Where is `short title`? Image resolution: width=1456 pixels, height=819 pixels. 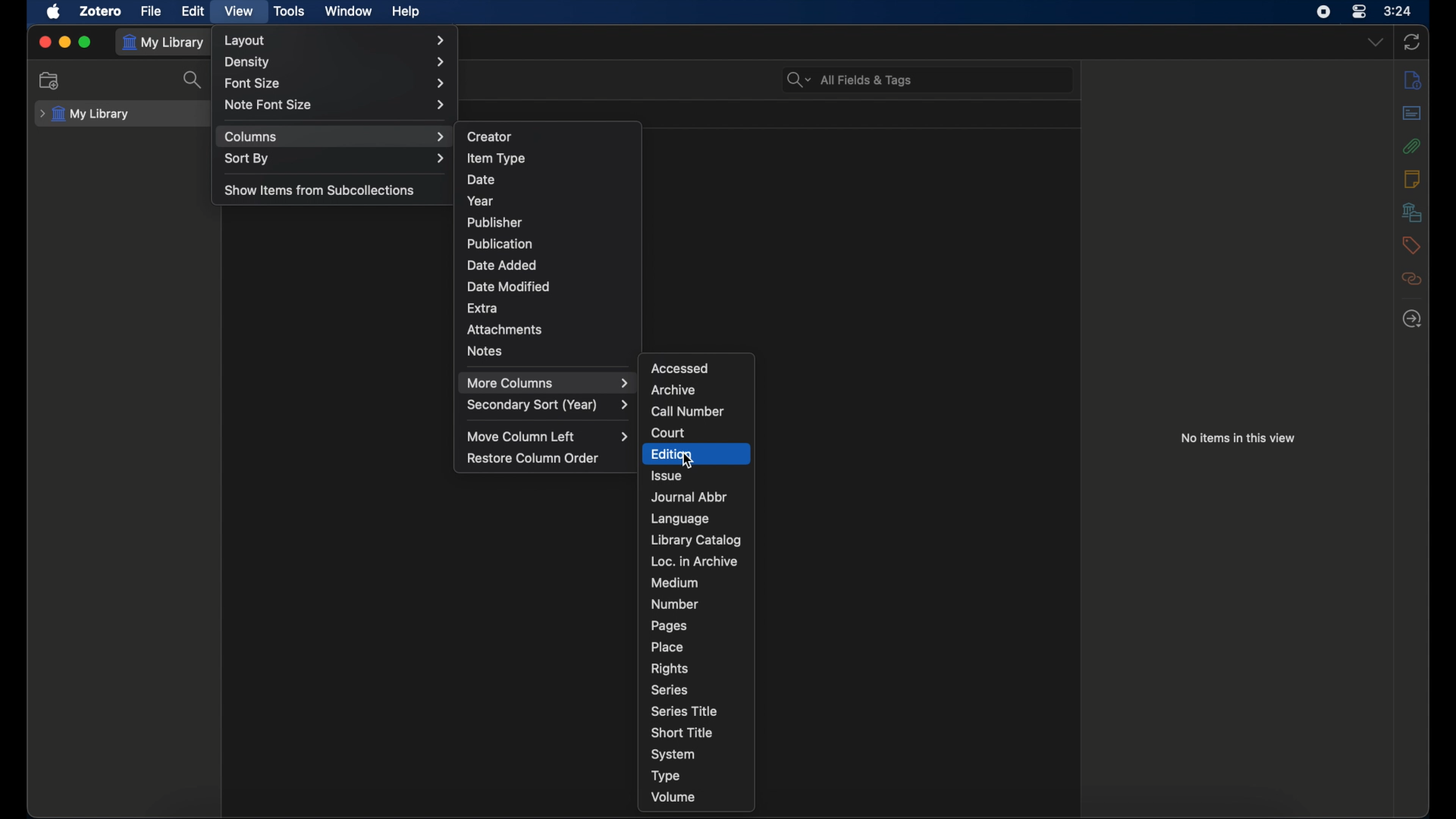 short title is located at coordinates (682, 733).